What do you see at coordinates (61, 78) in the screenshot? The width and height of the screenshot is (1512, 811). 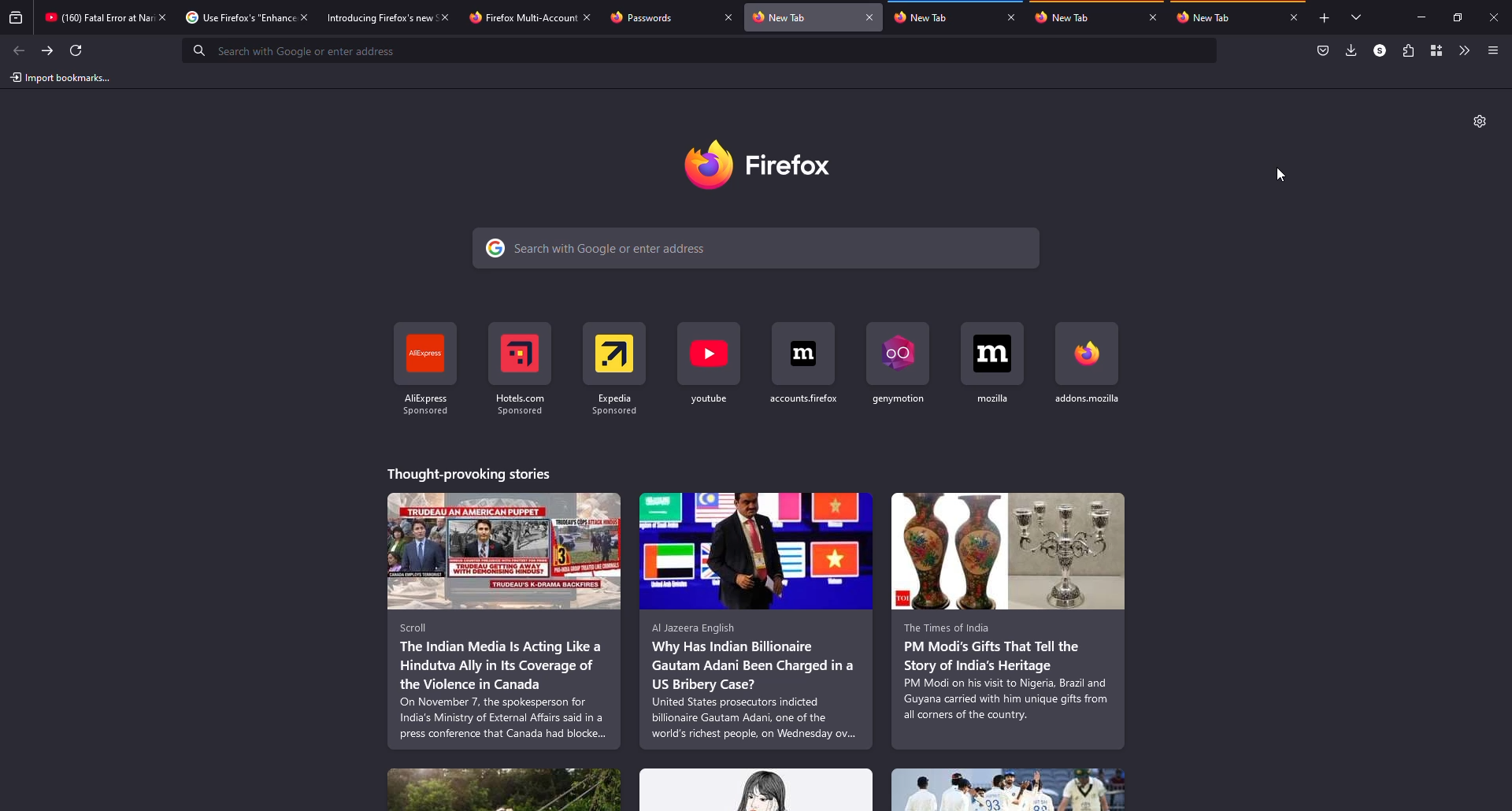 I see `import` at bounding box center [61, 78].